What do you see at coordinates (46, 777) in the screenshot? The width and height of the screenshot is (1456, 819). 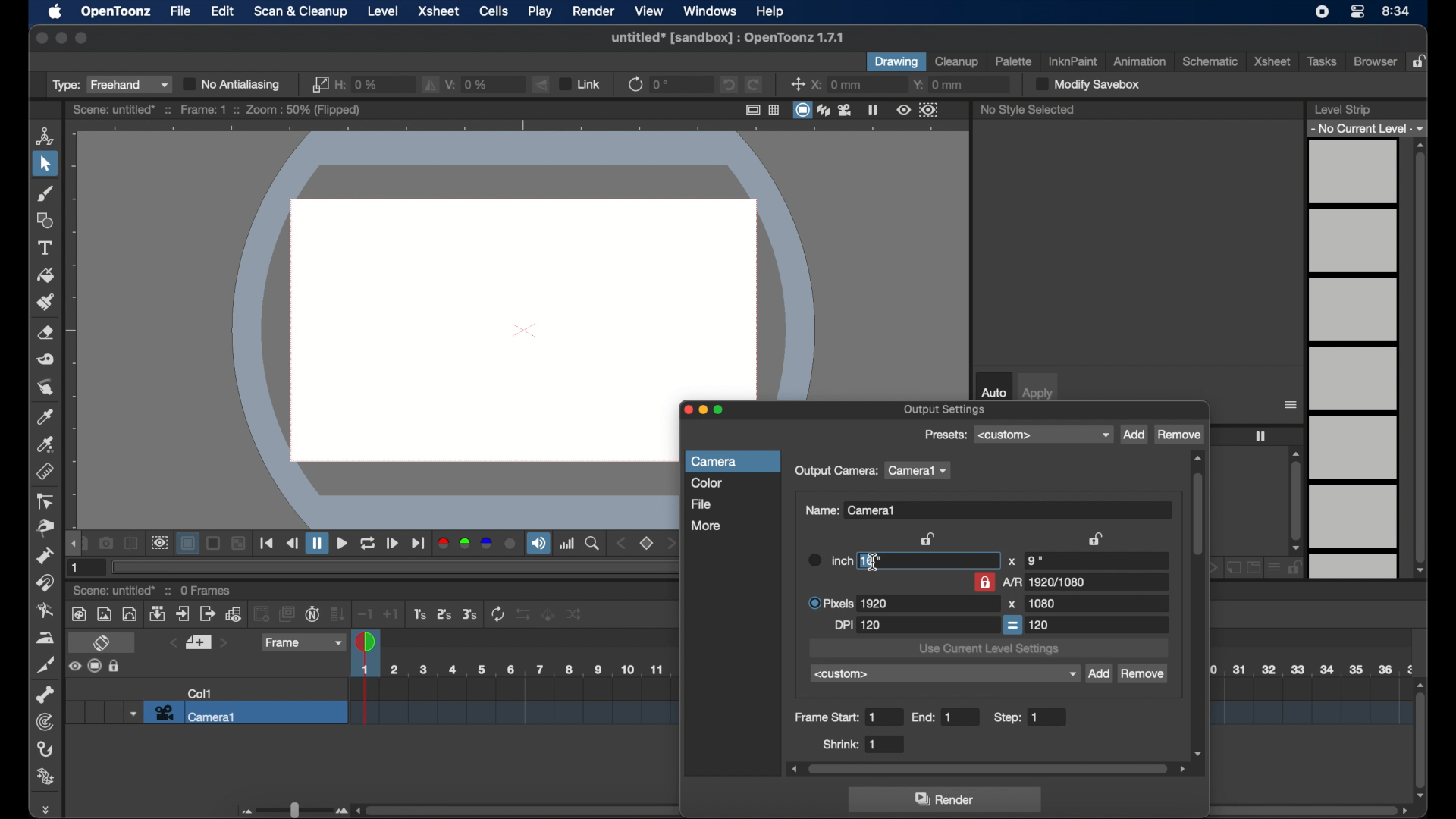 I see `plastic tool` at bounding box center [46, 777].